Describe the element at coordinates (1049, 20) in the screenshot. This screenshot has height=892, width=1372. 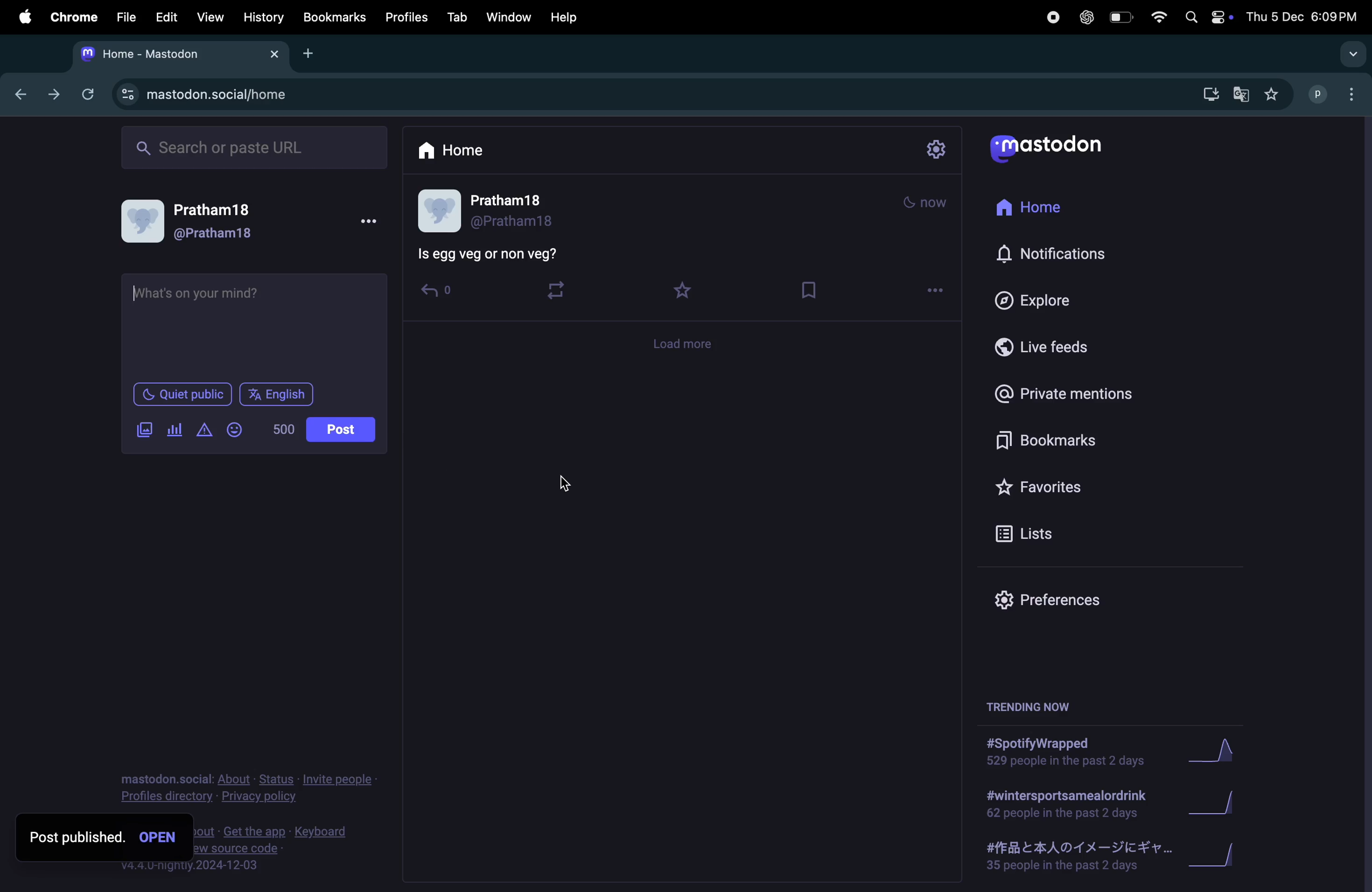
I see `record` at that location.